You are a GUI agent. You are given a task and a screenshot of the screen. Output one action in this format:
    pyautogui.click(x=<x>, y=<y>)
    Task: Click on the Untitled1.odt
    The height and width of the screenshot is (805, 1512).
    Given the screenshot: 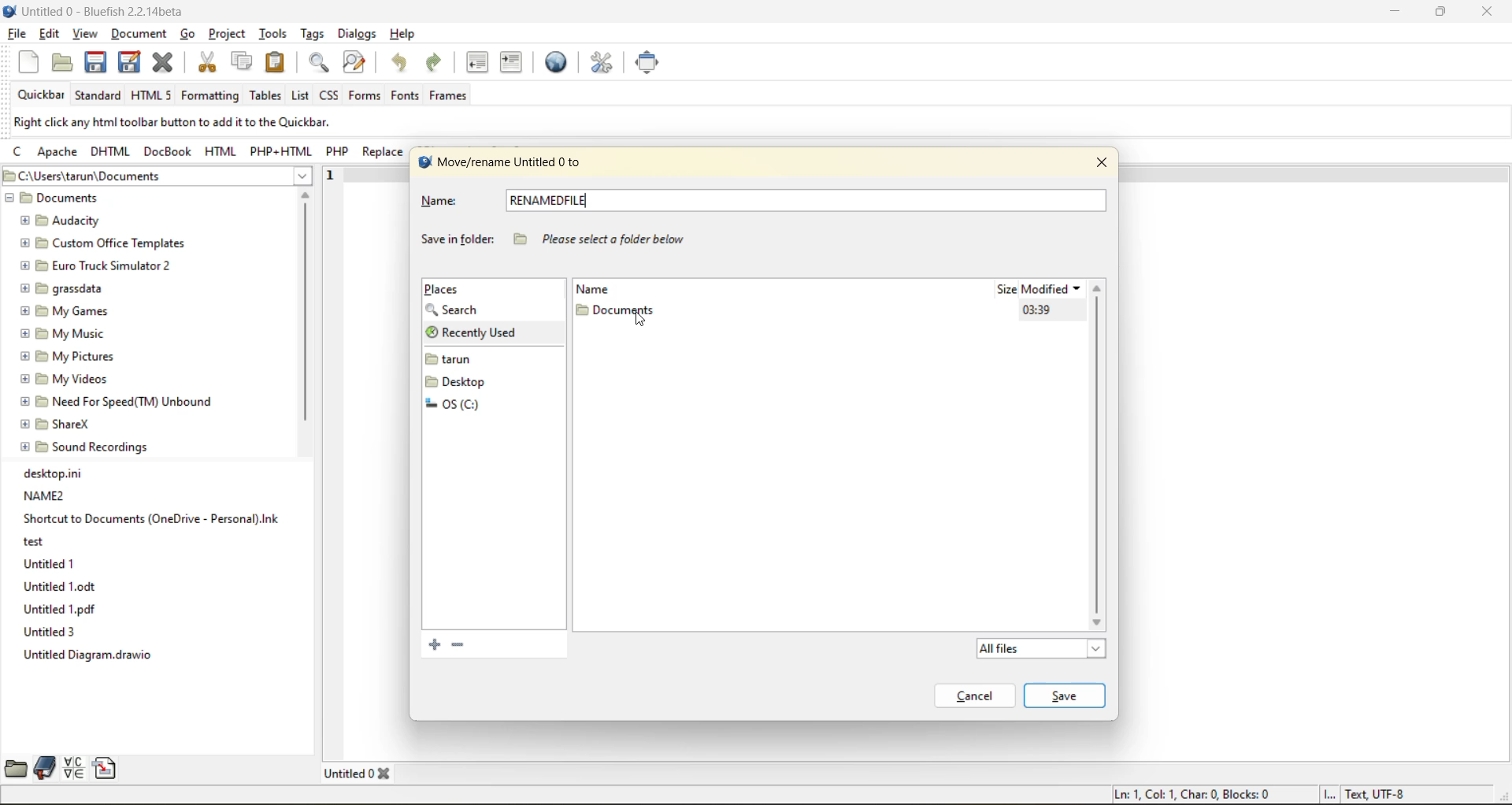 What is the action you would take?
    pyautogui.click(x=59, y=587)
    